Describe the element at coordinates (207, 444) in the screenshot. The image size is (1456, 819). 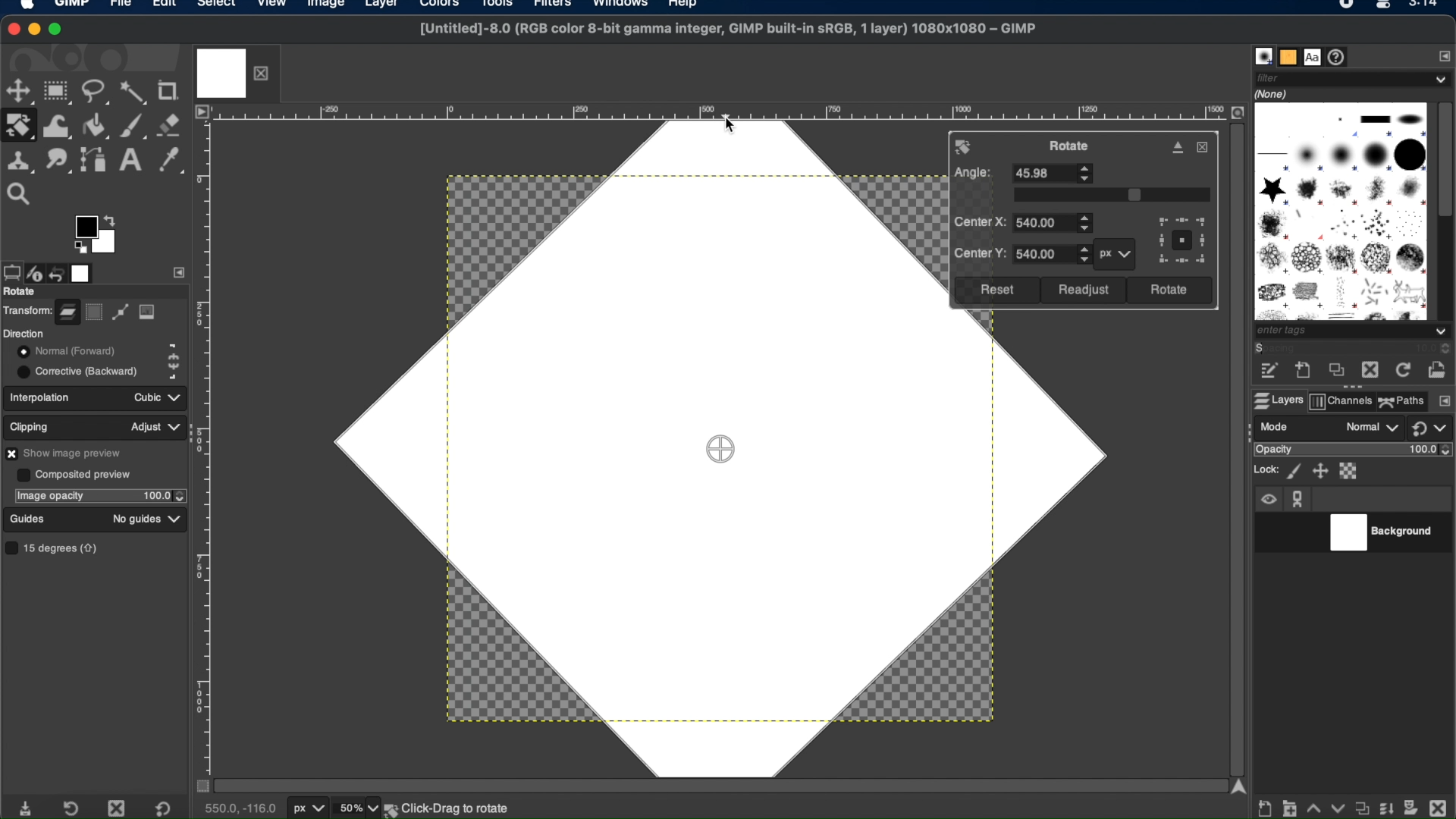
I see `margin` at that location.